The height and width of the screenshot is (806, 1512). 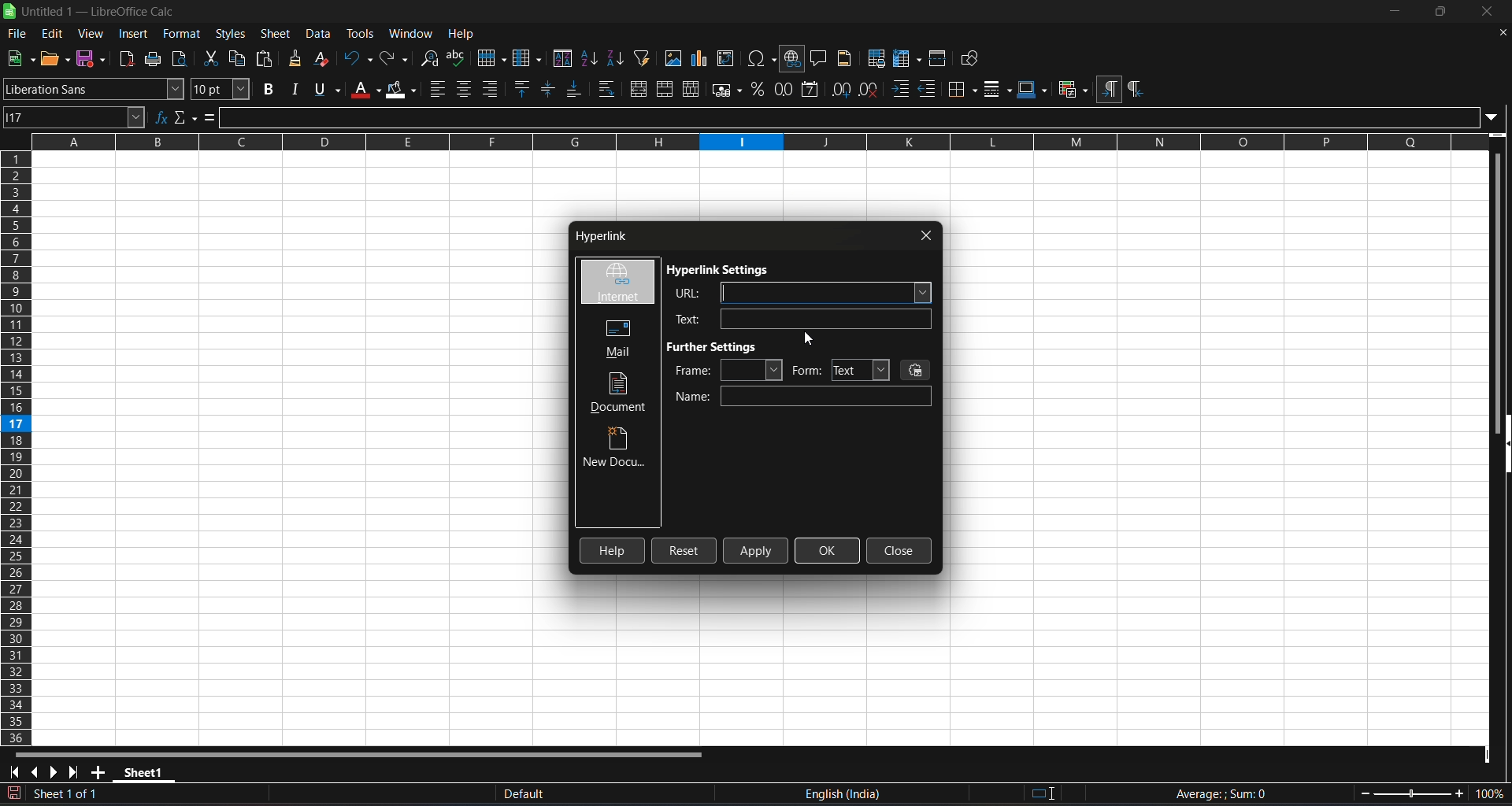 I want to click on cursor, so click(x=809, y=340).